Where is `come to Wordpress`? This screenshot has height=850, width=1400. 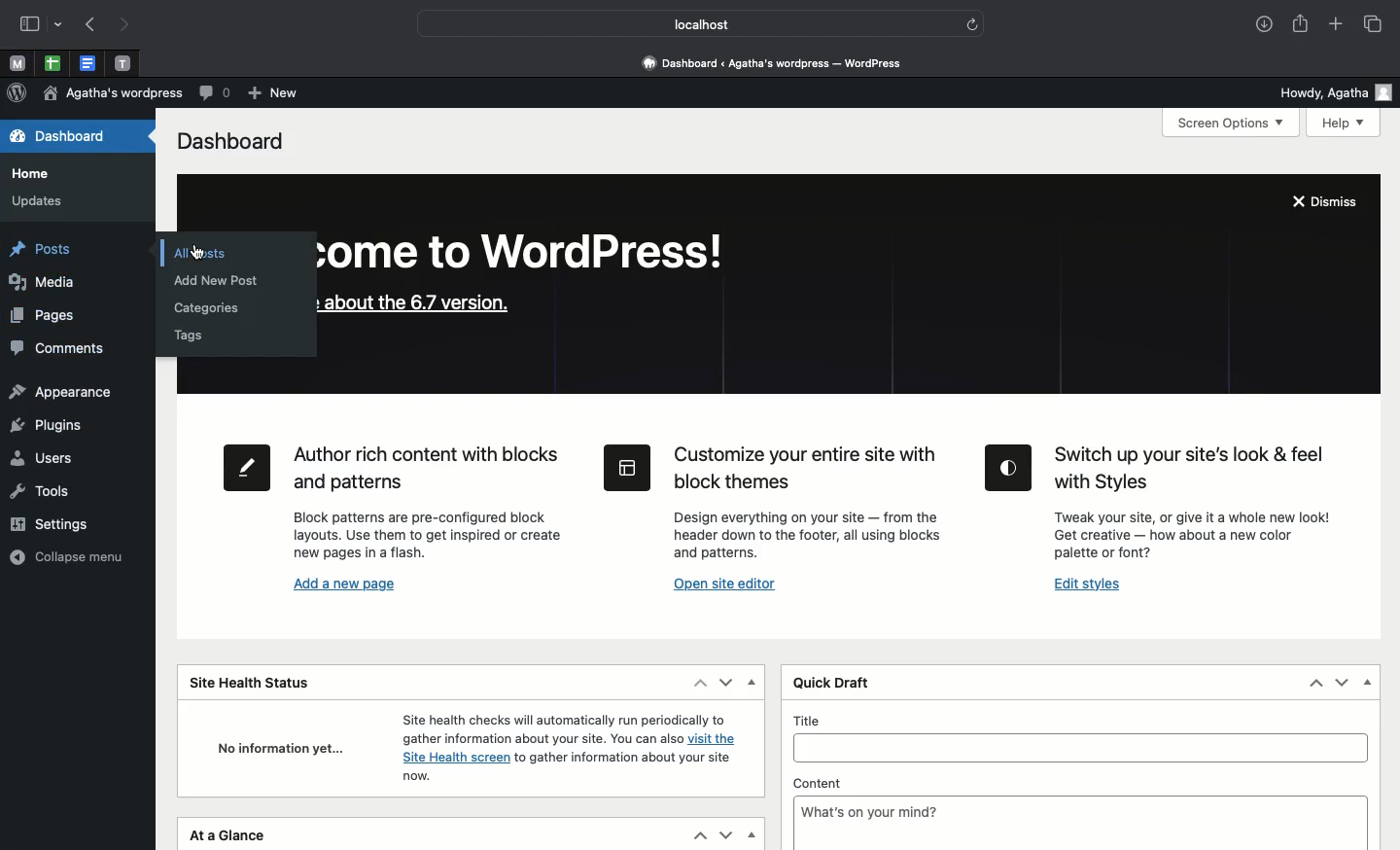 come to Wordpress is located at coordinates (535, 256).